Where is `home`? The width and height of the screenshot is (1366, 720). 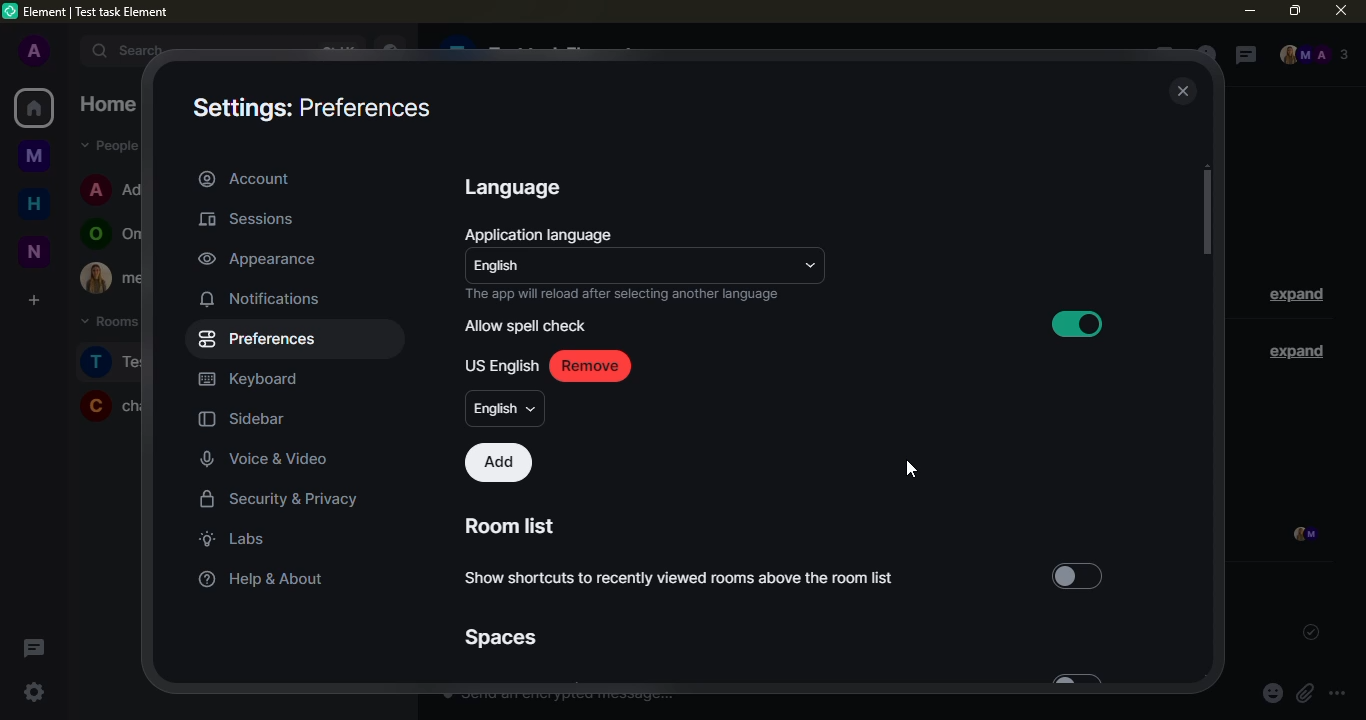
home is located at coordinates (35, 201).